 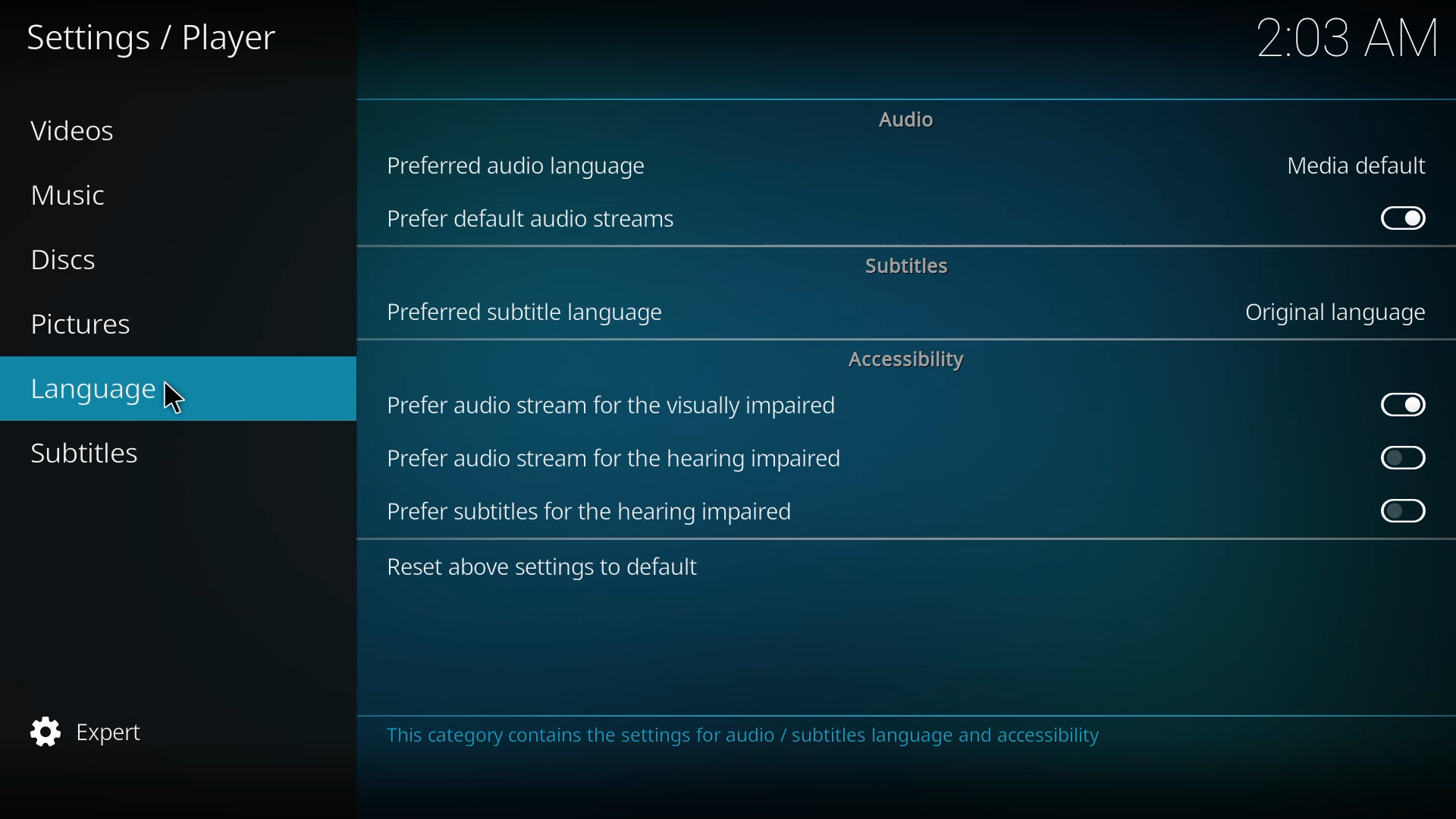 I want to click on pictures, so click(x=87, y=323).